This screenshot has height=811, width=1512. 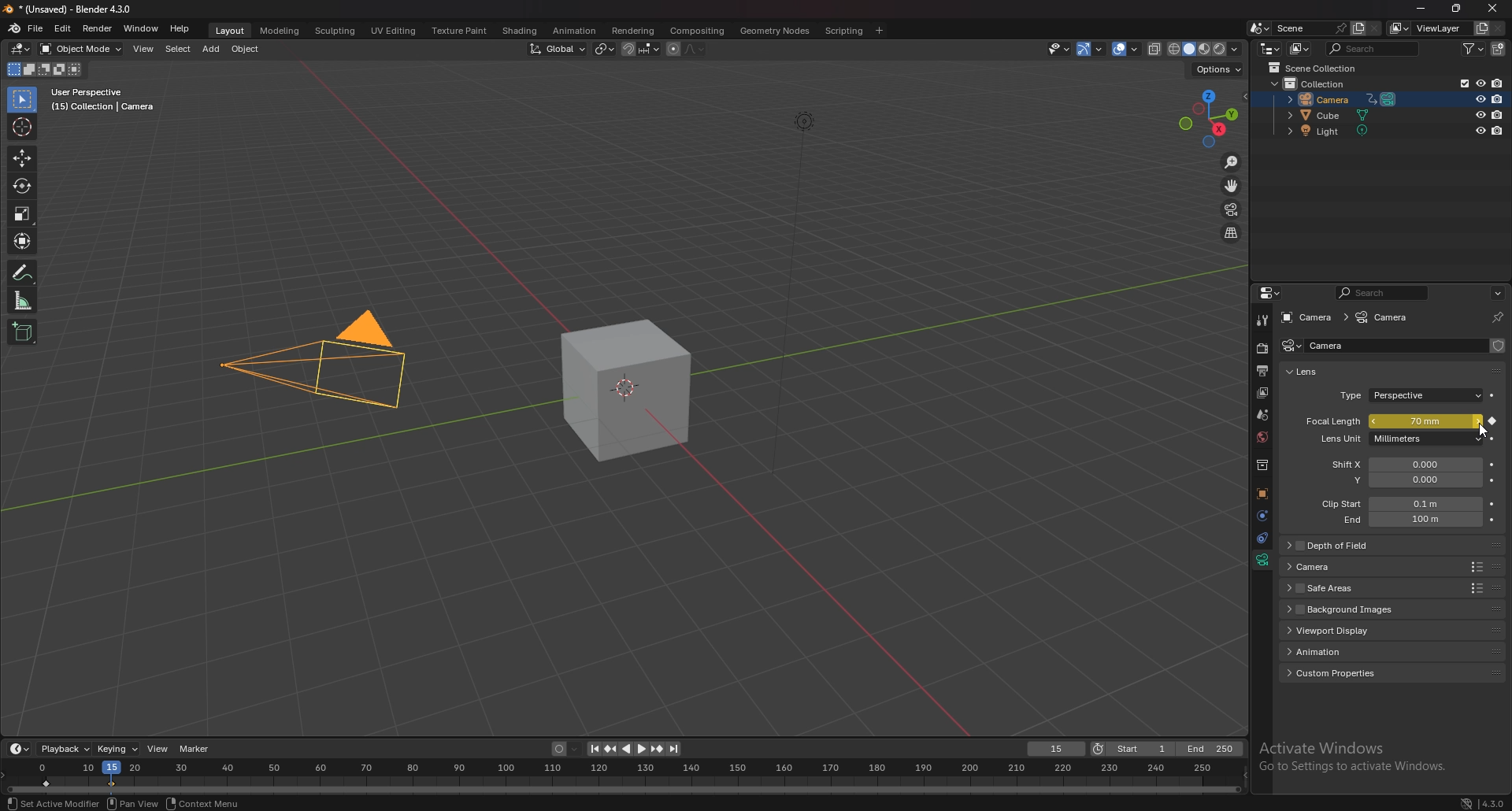 I want to click on scene collection, so click(x=1315, y=67).